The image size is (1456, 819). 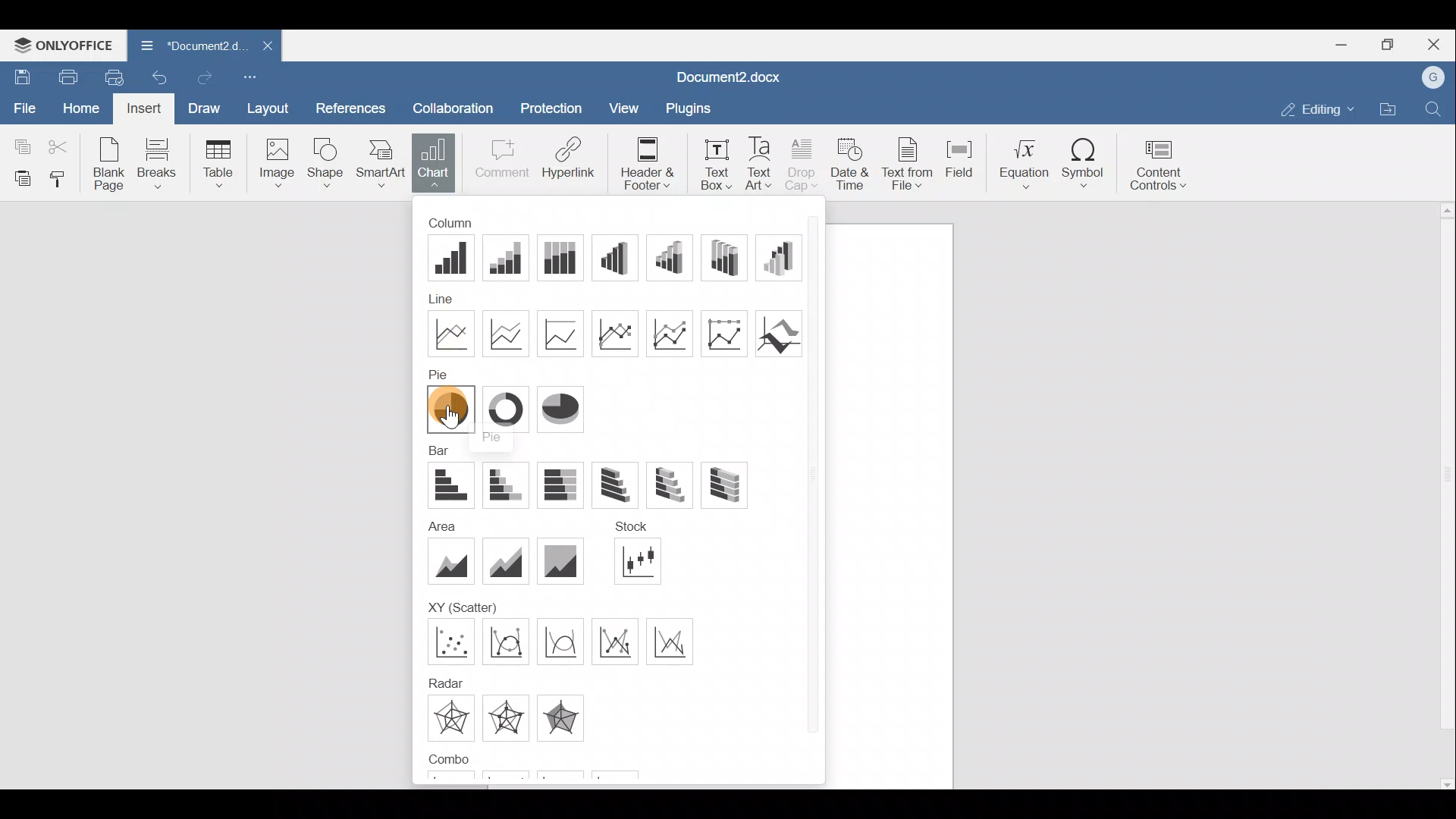 I want to click on Pie, so click(x=441, y=375).